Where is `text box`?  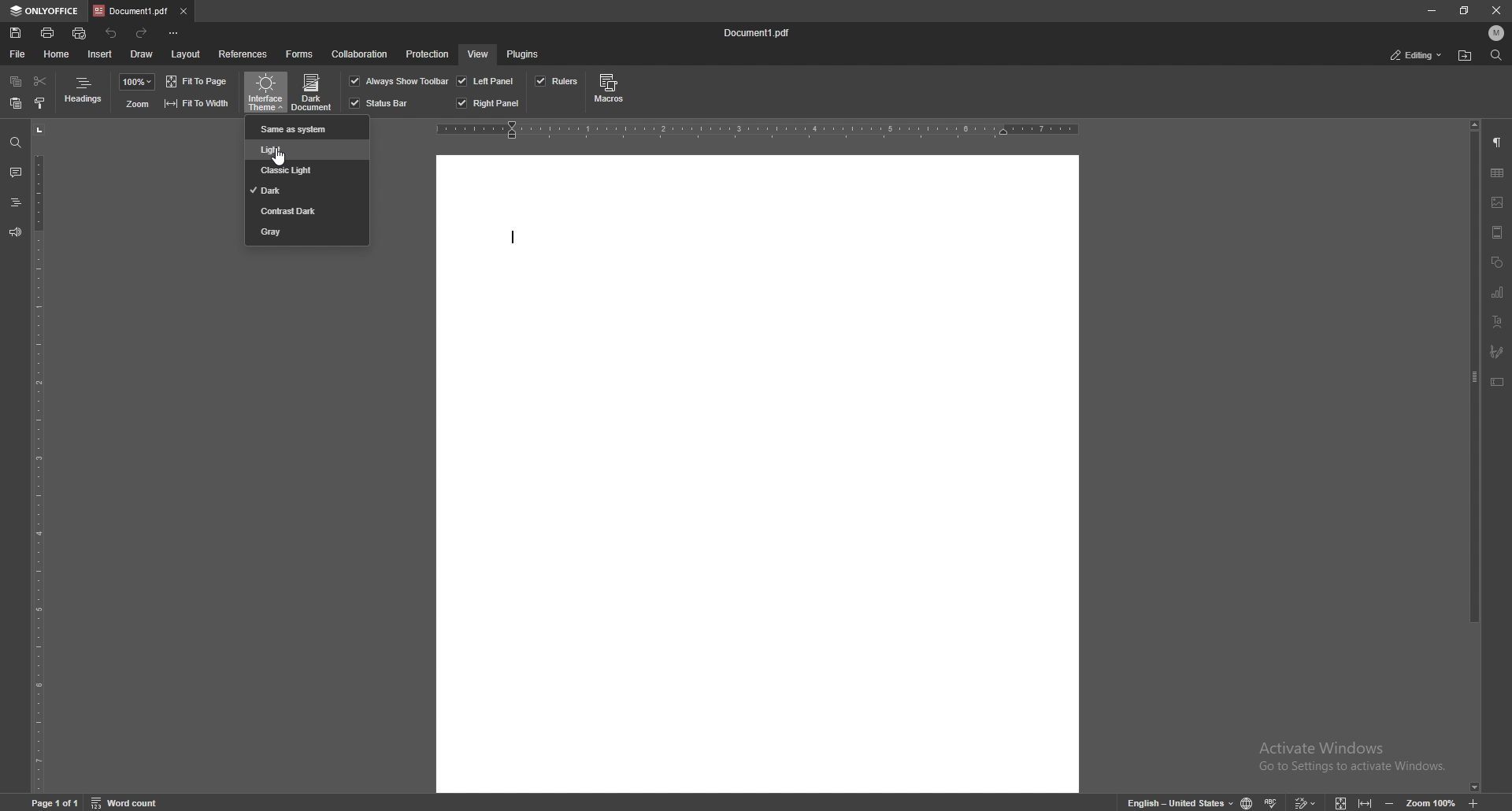 text box is located at coordinates (1498, 383).